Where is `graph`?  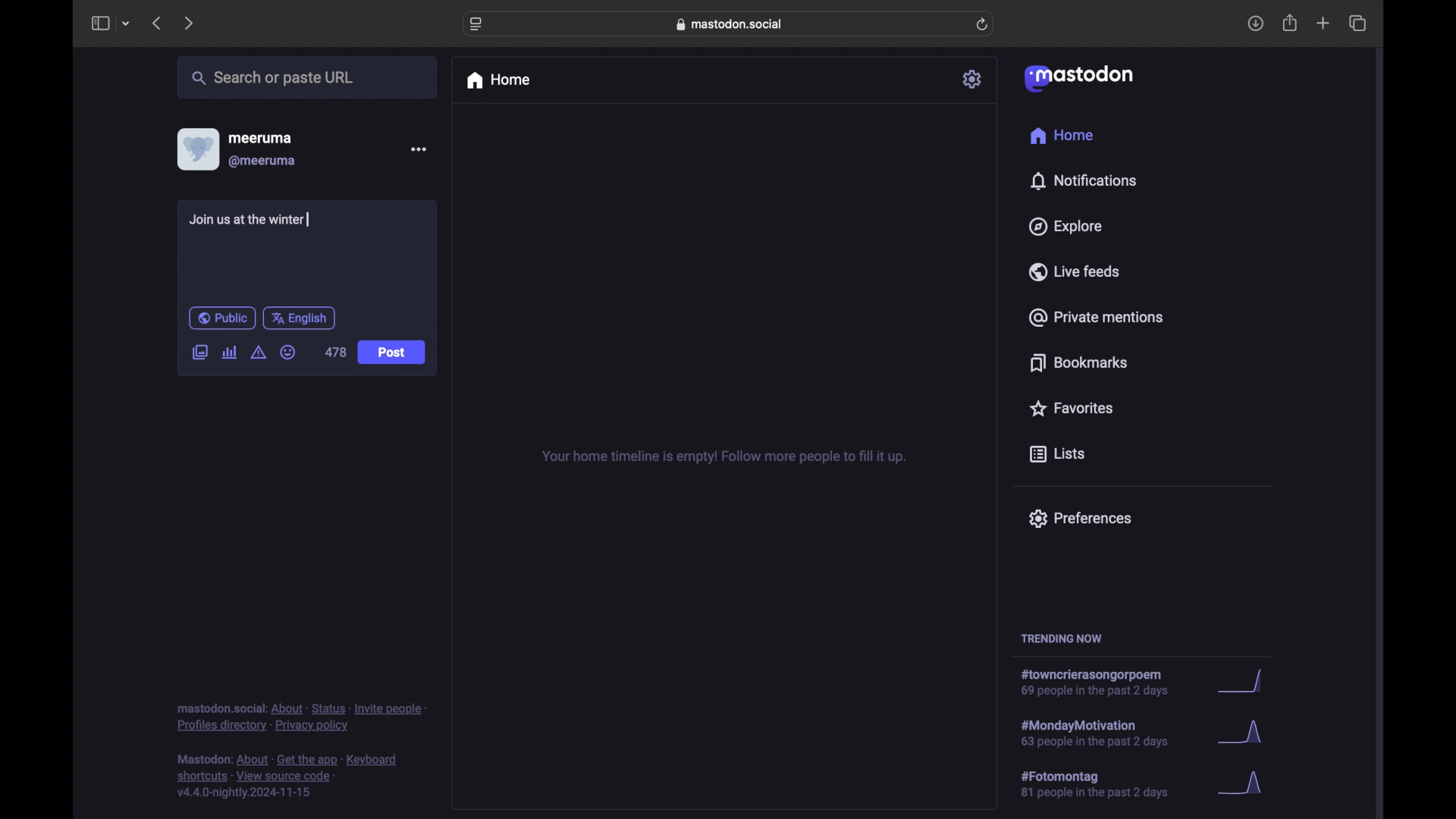 graph is located at coordinates (1244, 682).